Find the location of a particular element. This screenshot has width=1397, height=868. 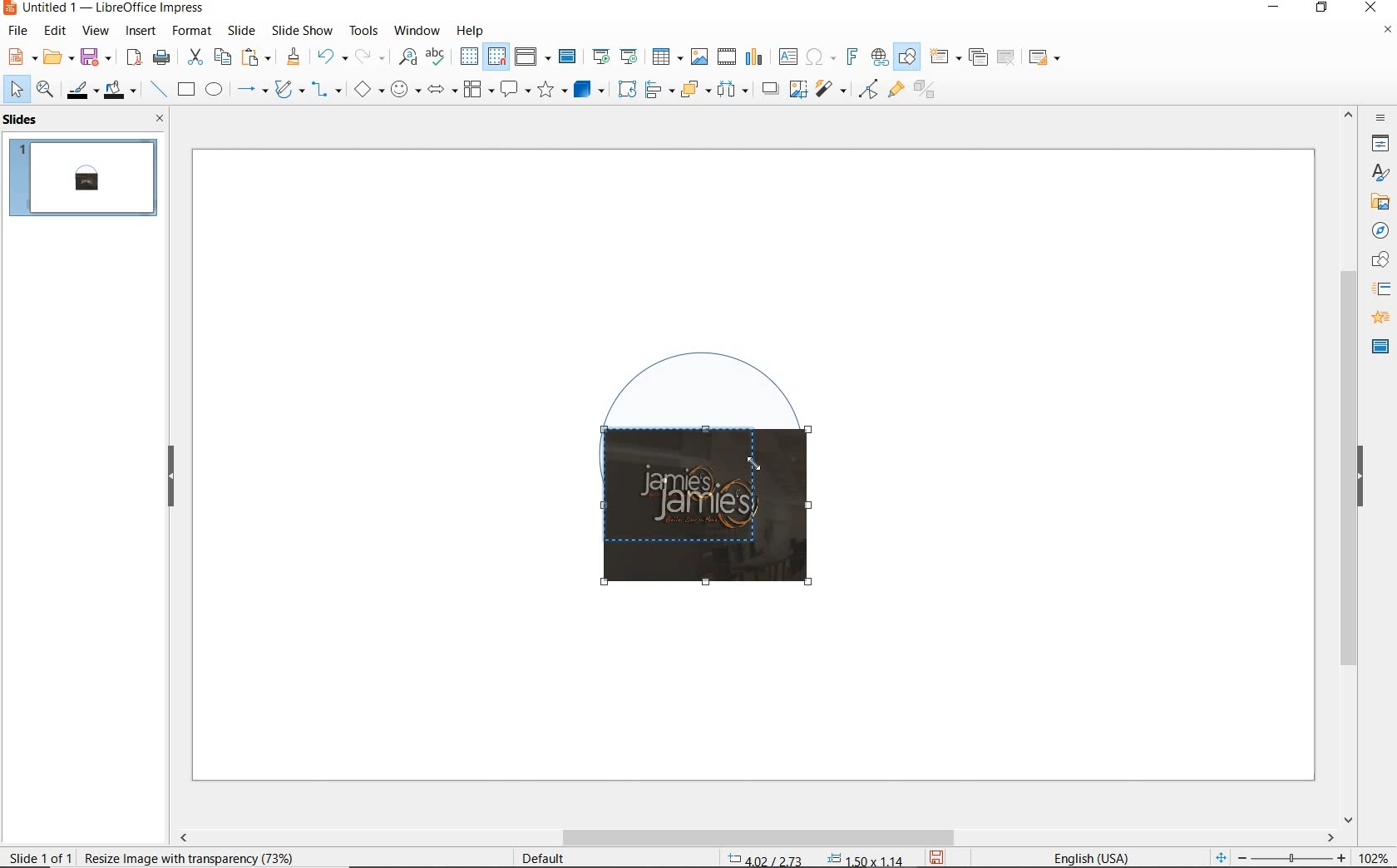

slide show is located at coordinates (301, 30).